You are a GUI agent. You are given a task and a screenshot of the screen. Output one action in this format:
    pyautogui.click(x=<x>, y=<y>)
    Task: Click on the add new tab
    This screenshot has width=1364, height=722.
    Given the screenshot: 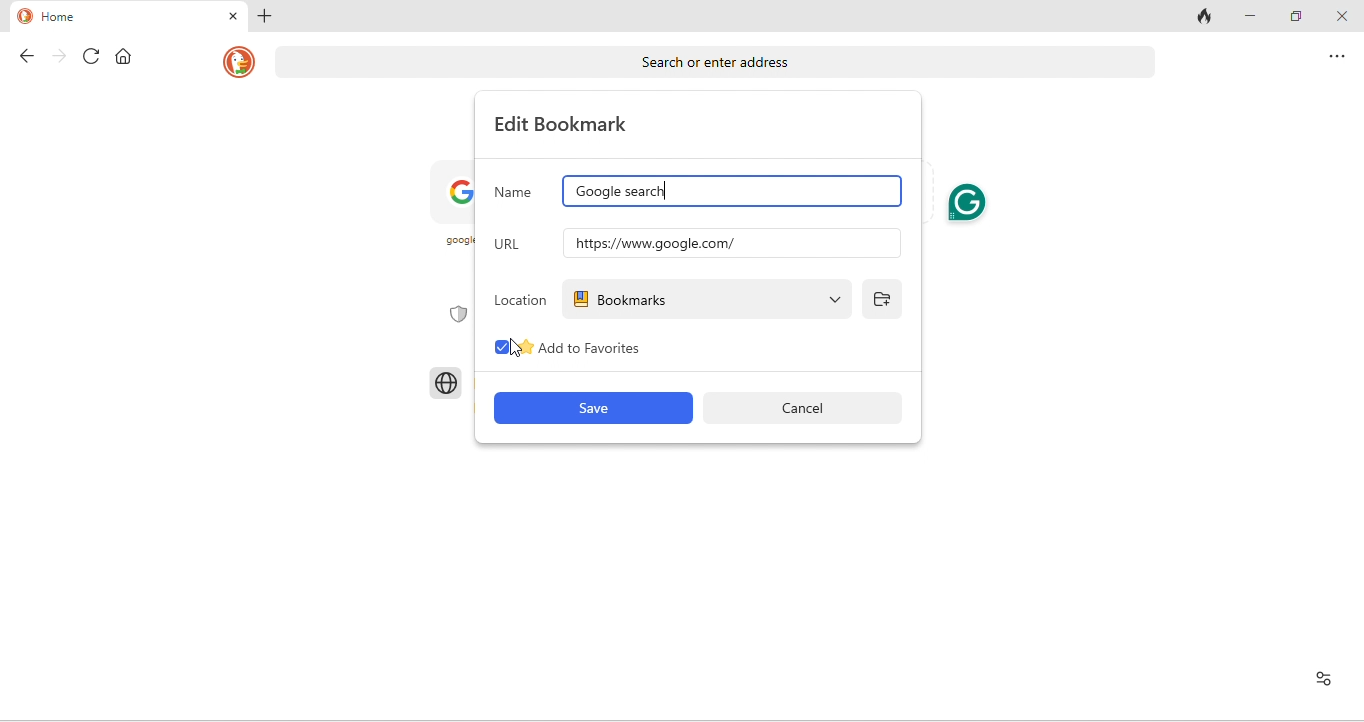 What is the action you would take?
    pyautogui.click(x=268, y=17)
    